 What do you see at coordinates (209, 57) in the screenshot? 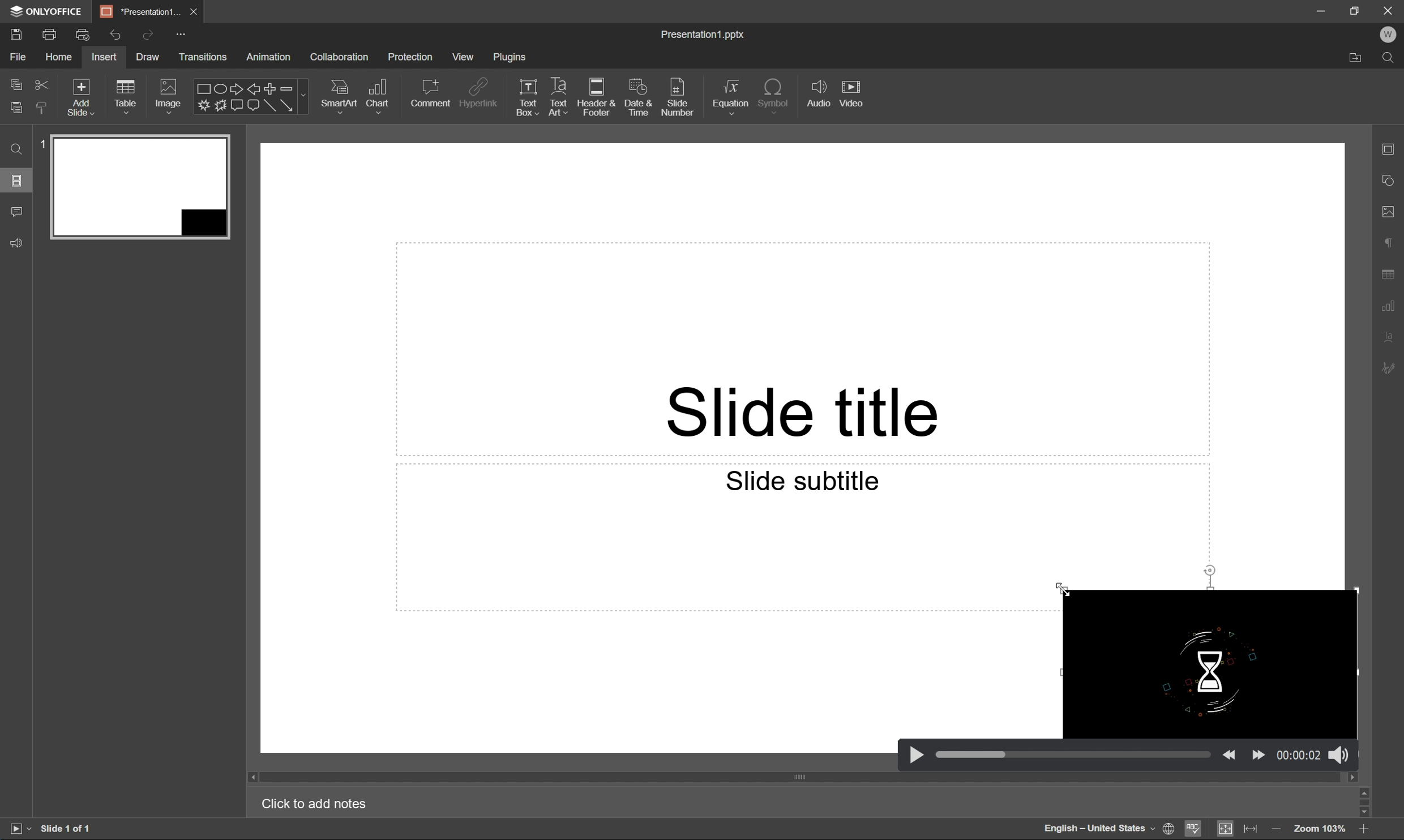
I see `transitions` at bounding box center [209, 57].